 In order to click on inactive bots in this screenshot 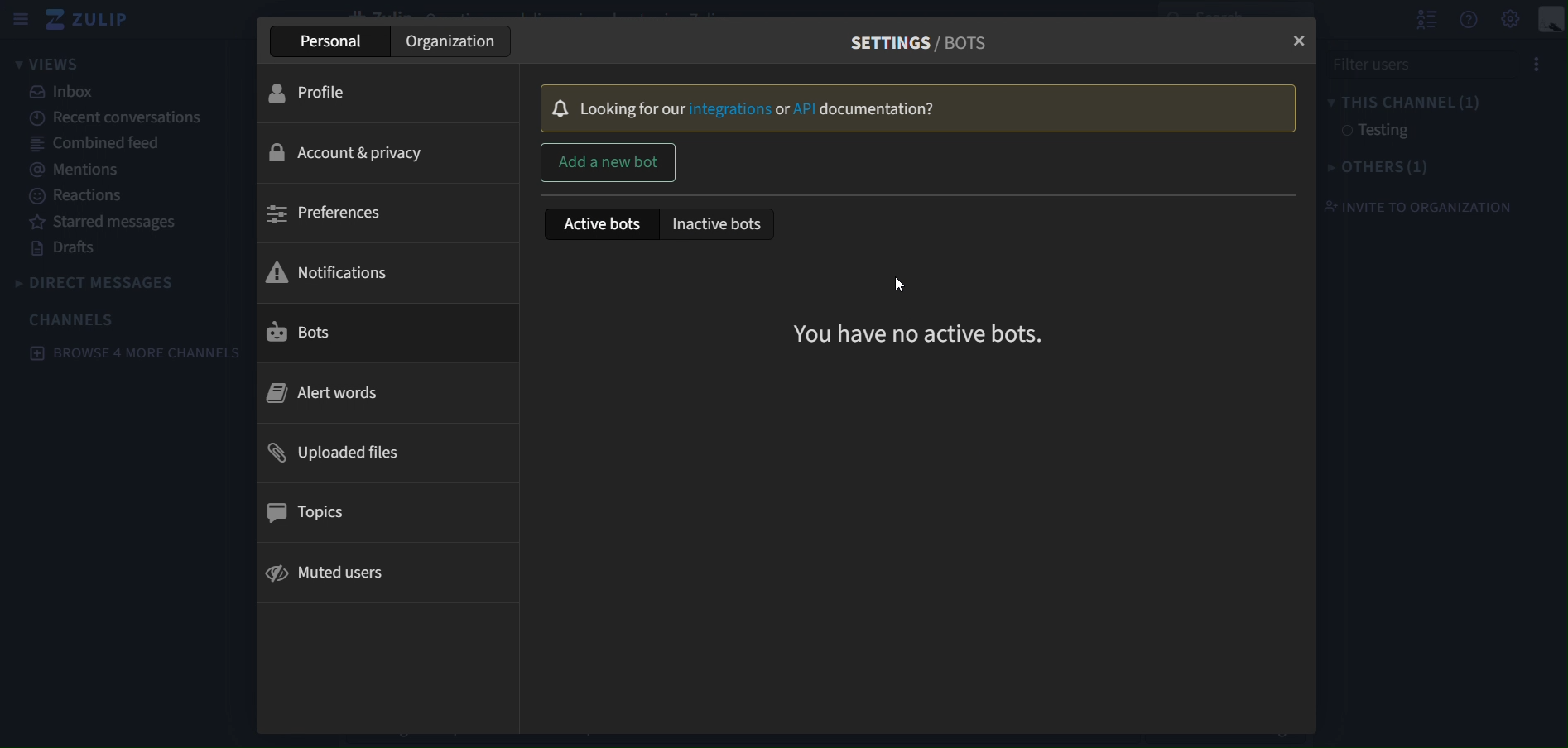, I will do `click(729, 225)`.